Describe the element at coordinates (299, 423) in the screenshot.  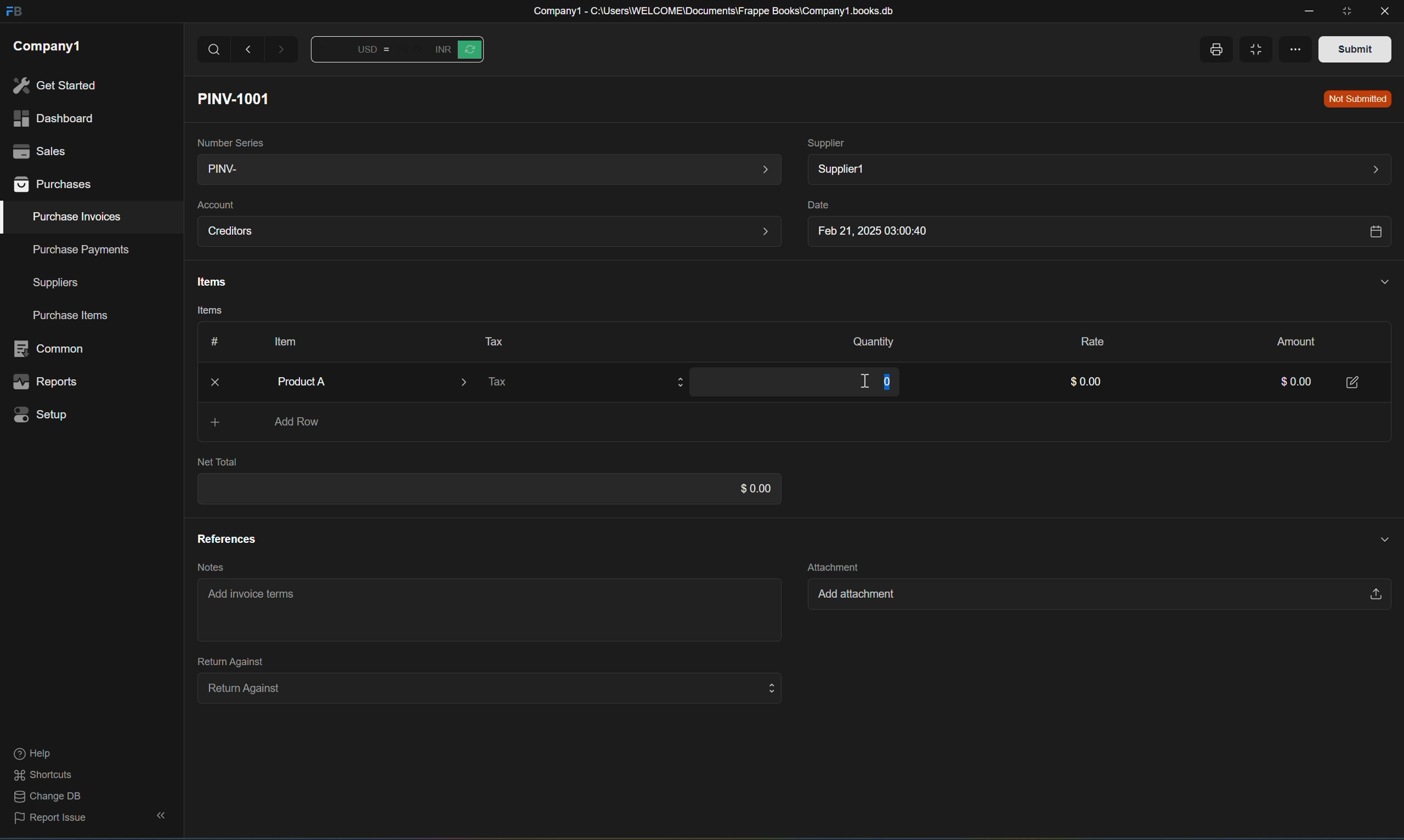
I see `Add Row` at that location.